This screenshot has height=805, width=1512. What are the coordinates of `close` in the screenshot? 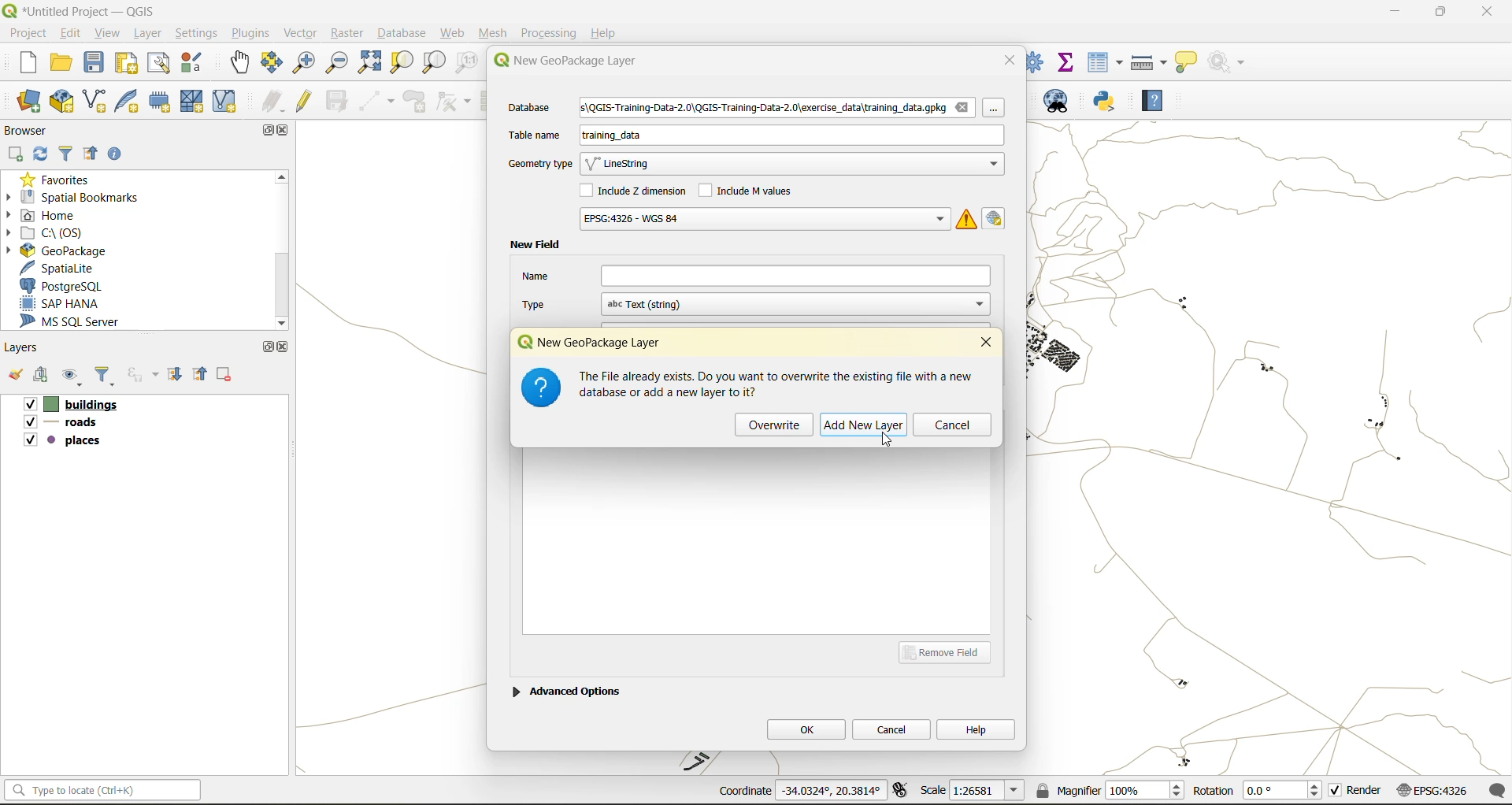 It's located at (988, 344).